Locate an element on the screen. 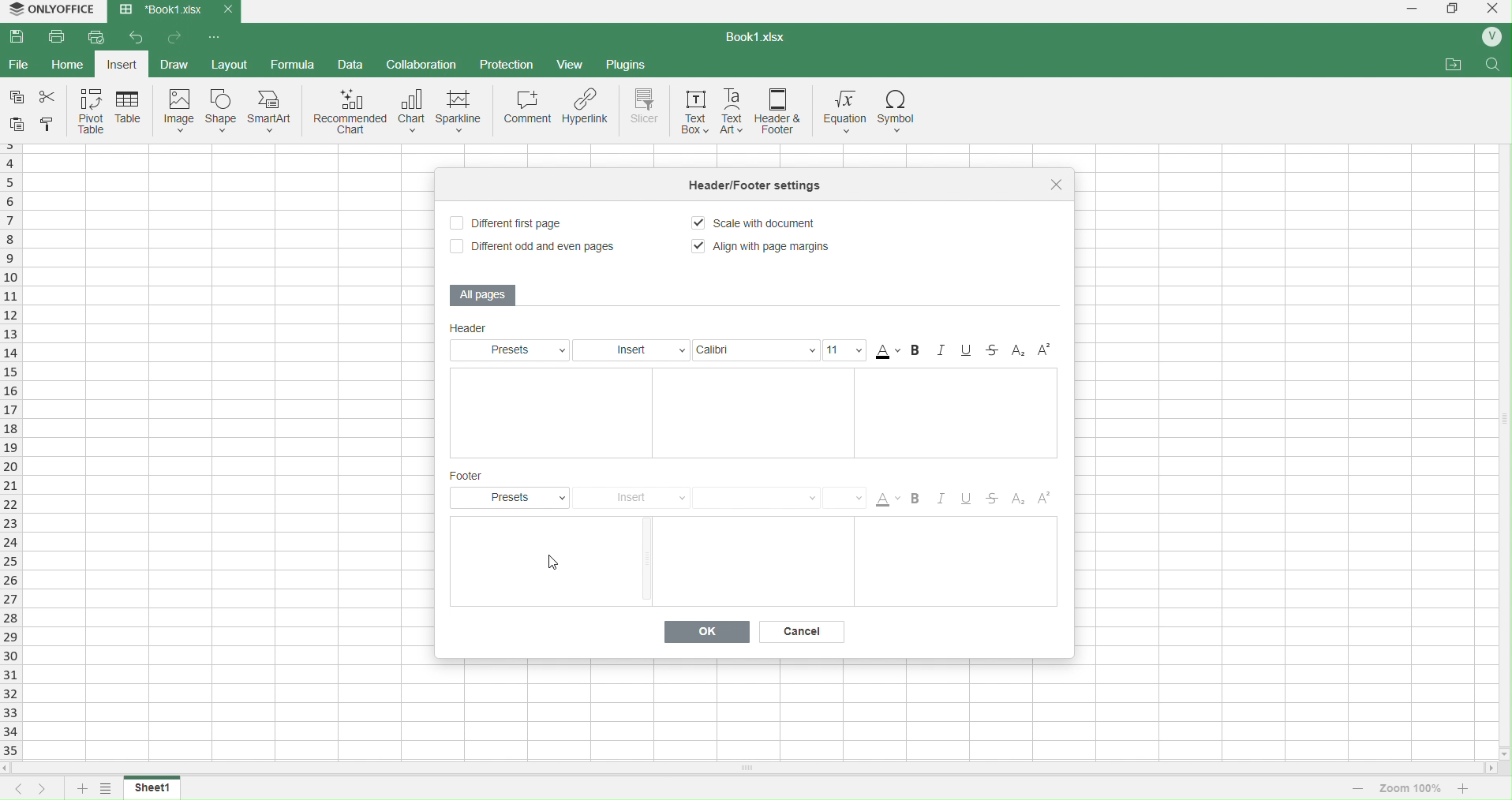 The width and height of the screenshot is (1512, 800). sparkline is located at coordinates (459, 112).